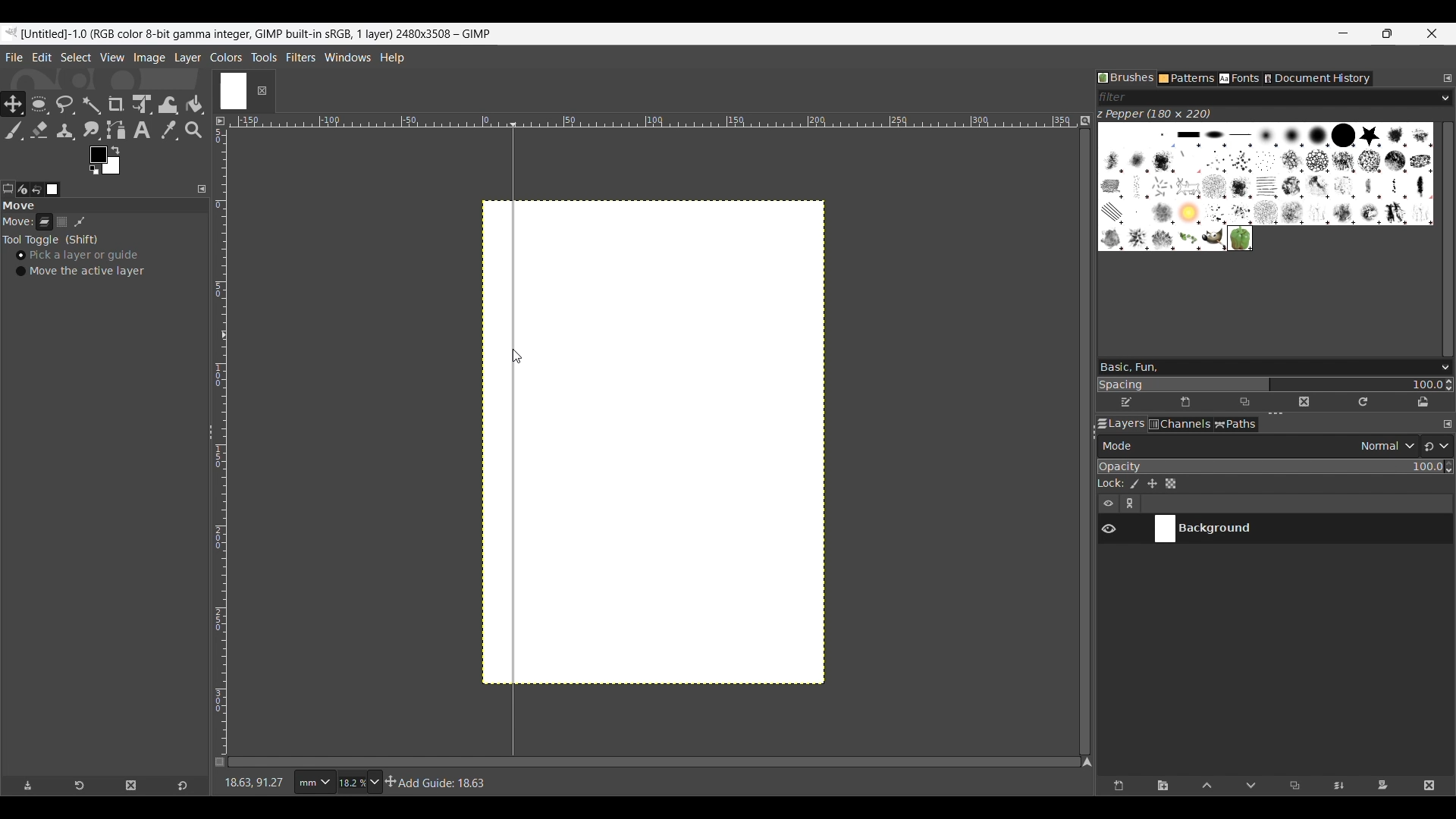 The image size is (1456, 819). Describe the element at coordinates (91, 130) in the screenshot. I see `Smudge tool` at that location.